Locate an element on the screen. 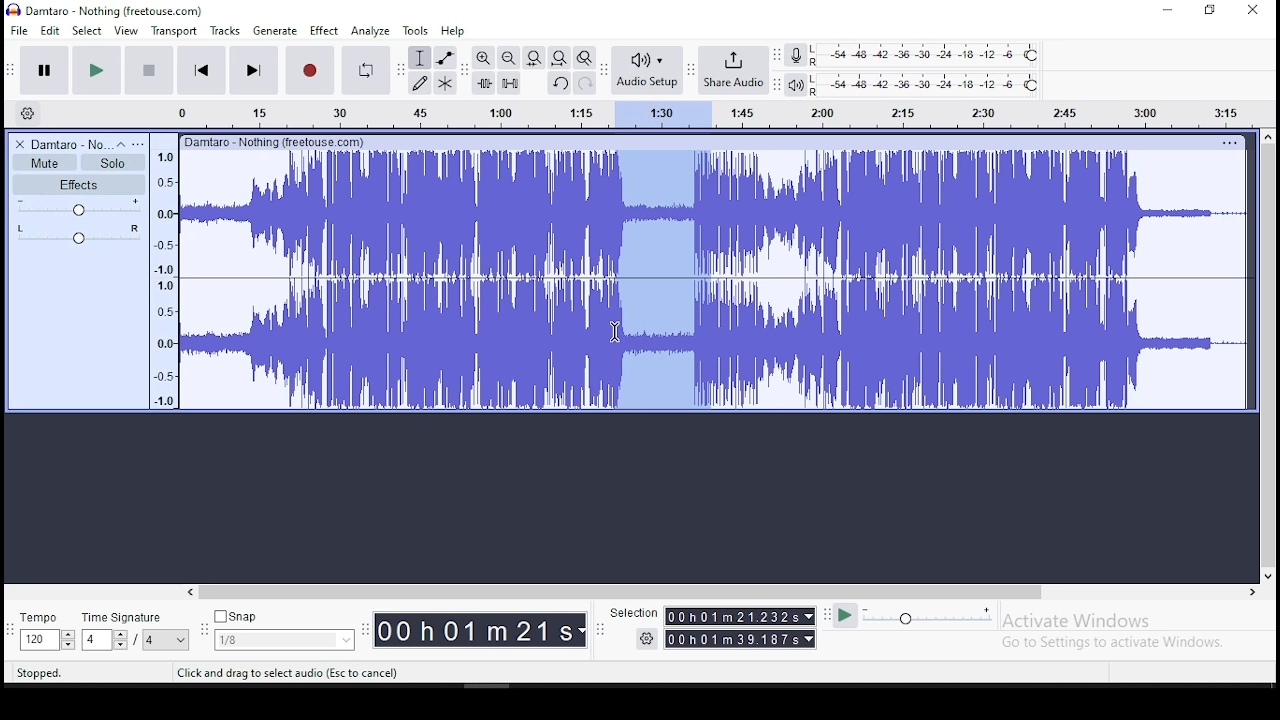 This screenshot has width=1280, height=720. /4 is located at coordinates (150, 639).